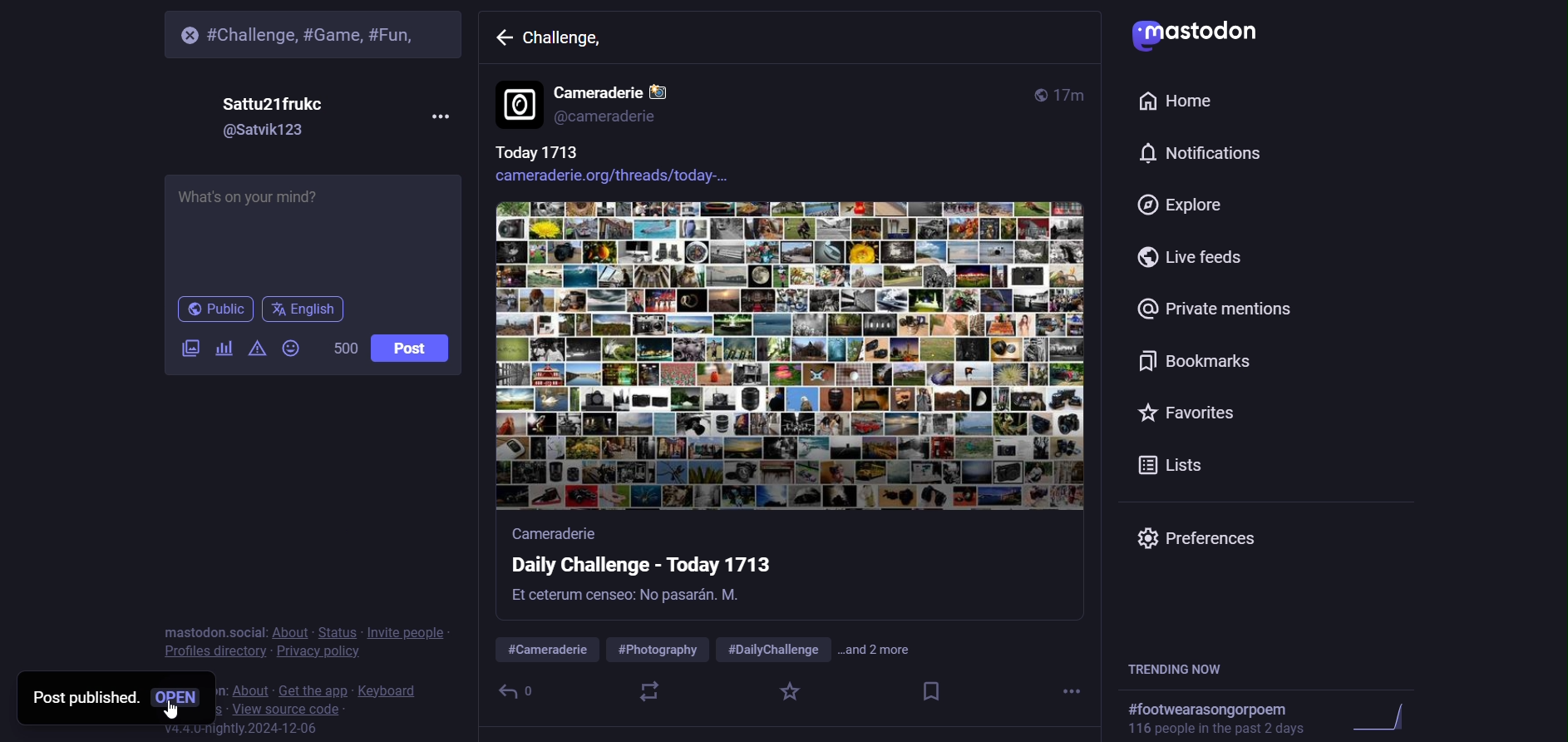 The height and width of the screenshot is (742, 1568). What do you see at coordinates (214, 309) in the screenshot?
I see `public` at bounding box center [214, 309].